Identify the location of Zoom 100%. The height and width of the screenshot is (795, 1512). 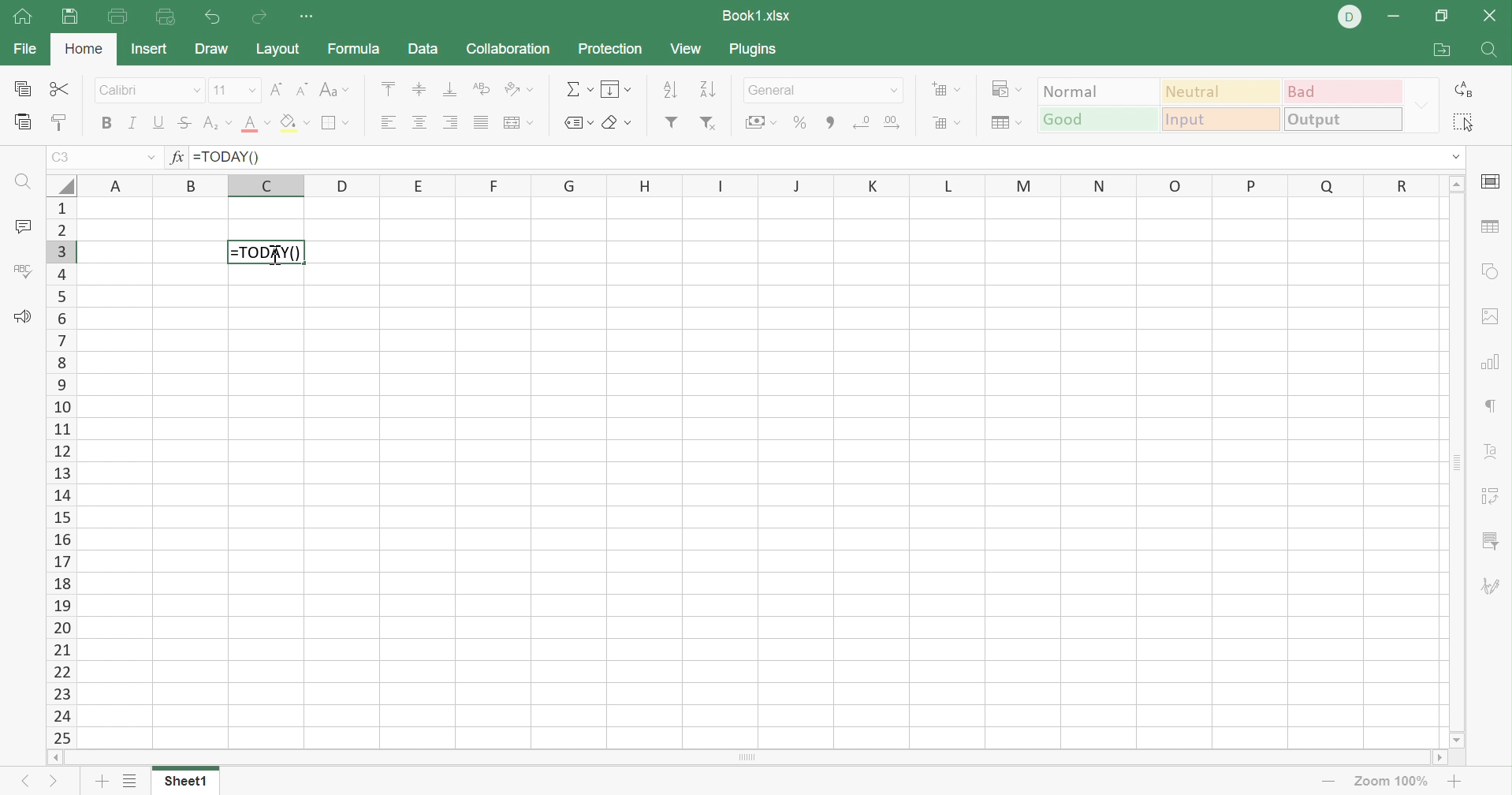
(1394, 780).